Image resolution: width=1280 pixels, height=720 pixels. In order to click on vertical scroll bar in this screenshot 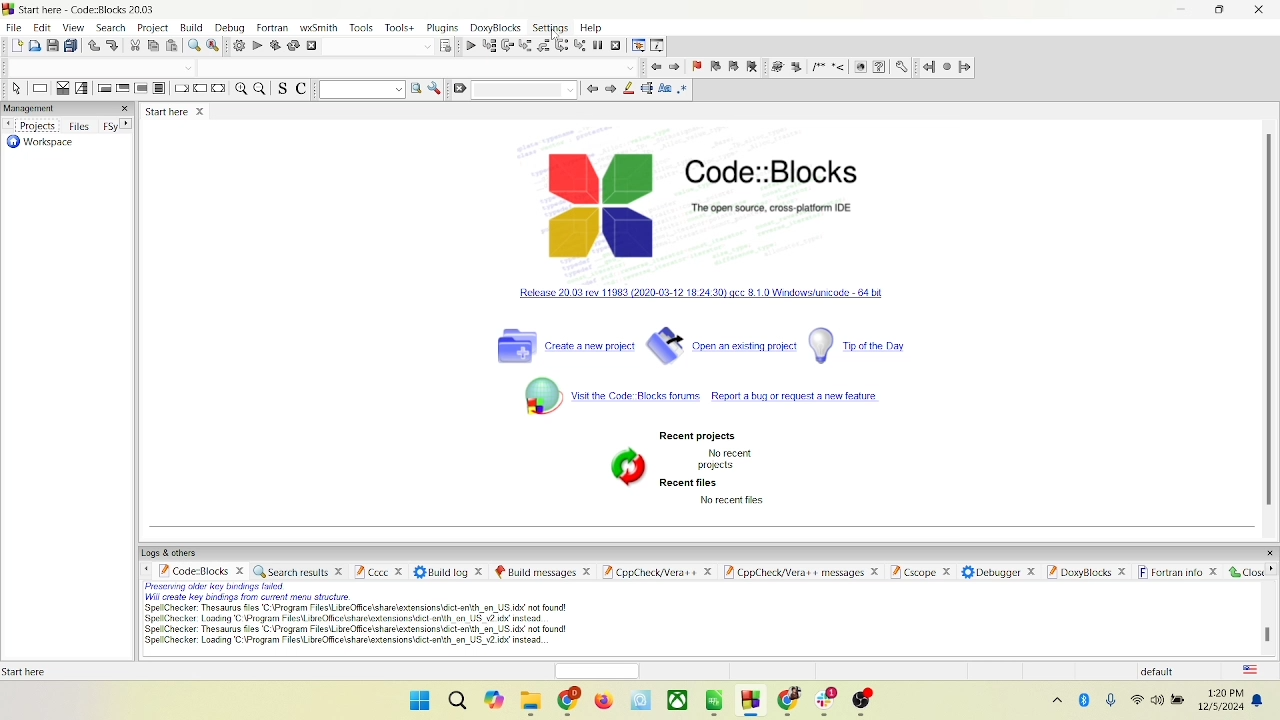, I will do `click(1274, 610)`.